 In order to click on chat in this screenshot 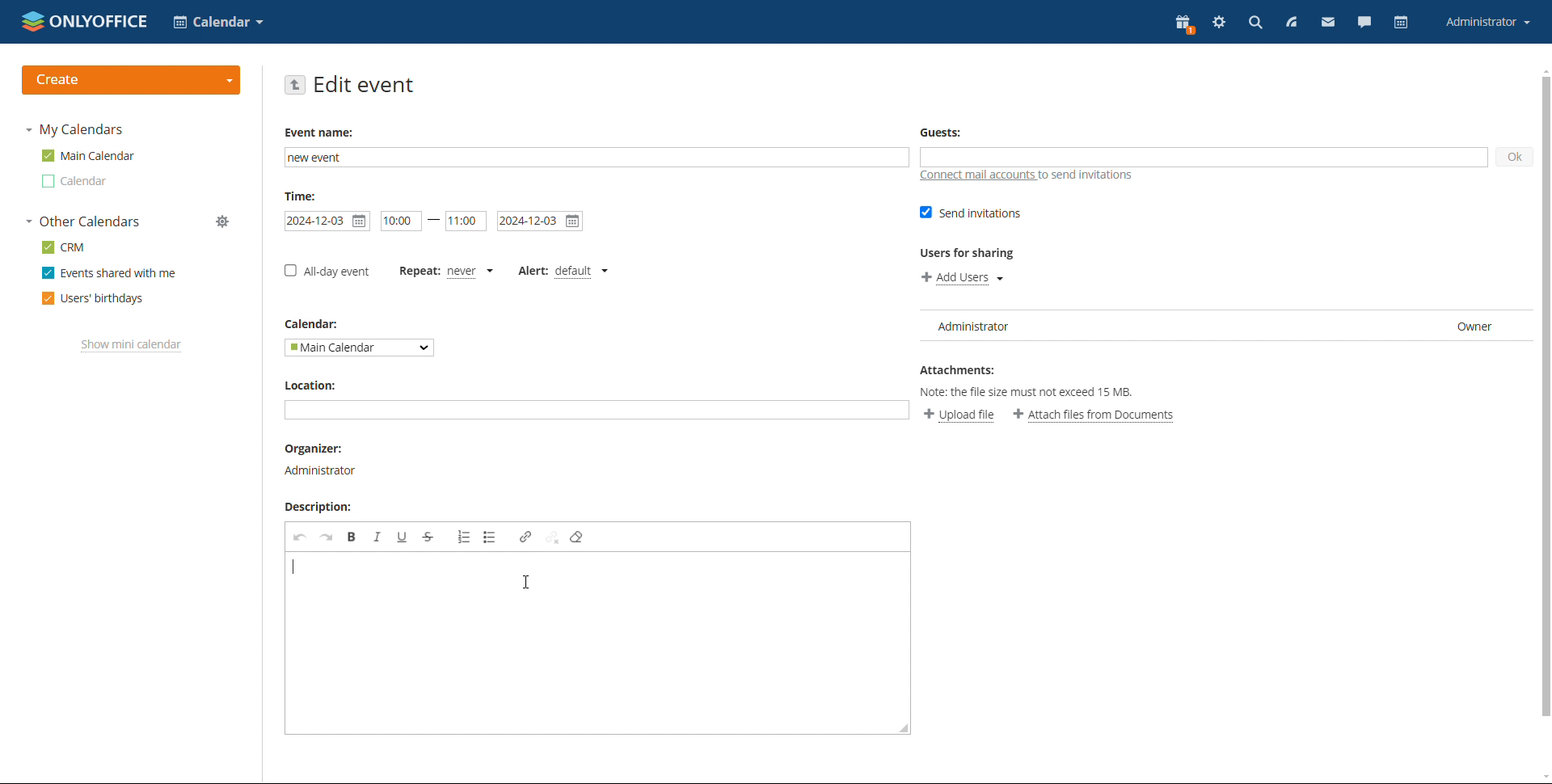, I will do `click(1364, 22)`.